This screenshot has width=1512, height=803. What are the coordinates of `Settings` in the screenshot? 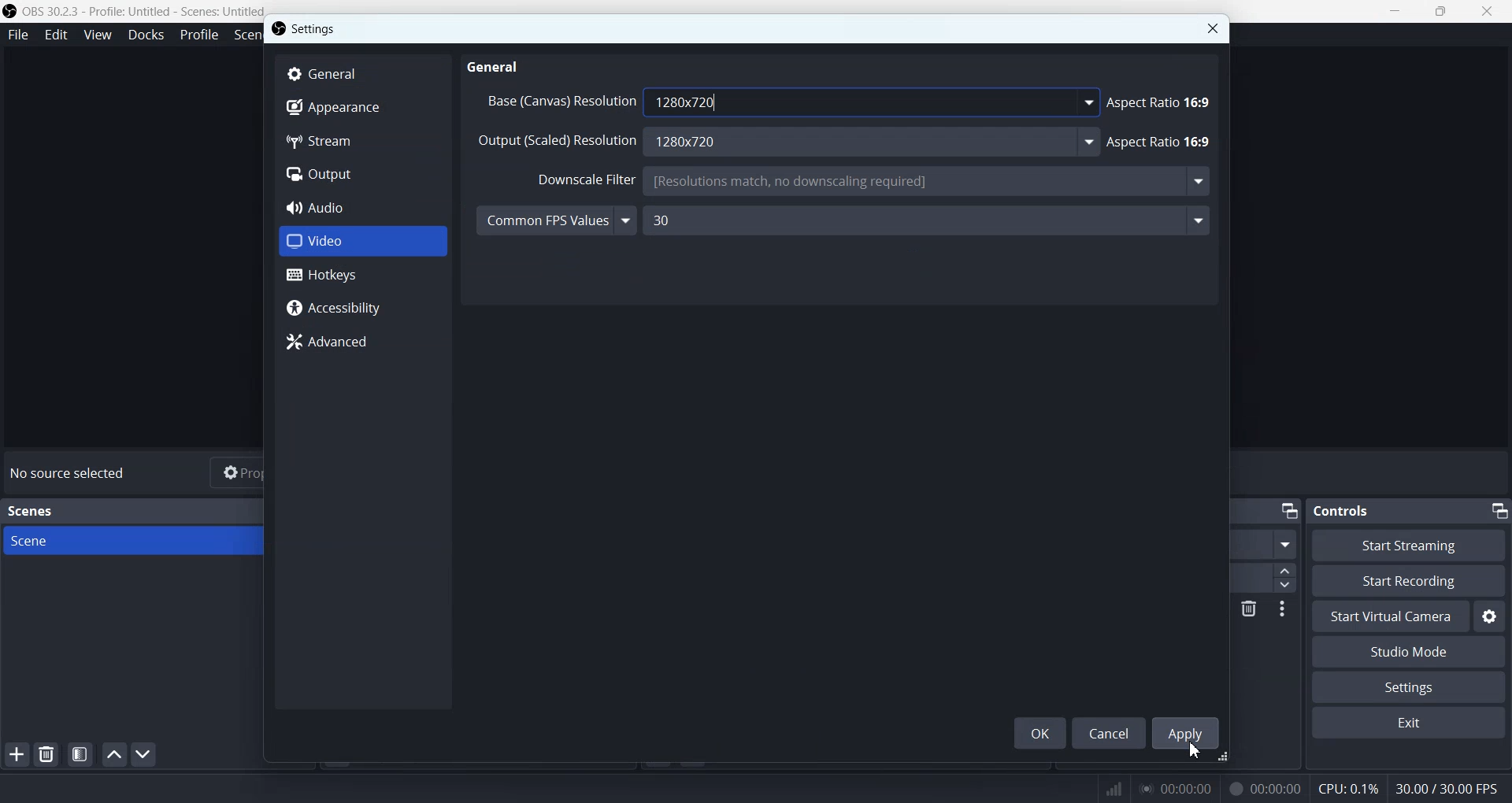 It's located at (1491, 618).